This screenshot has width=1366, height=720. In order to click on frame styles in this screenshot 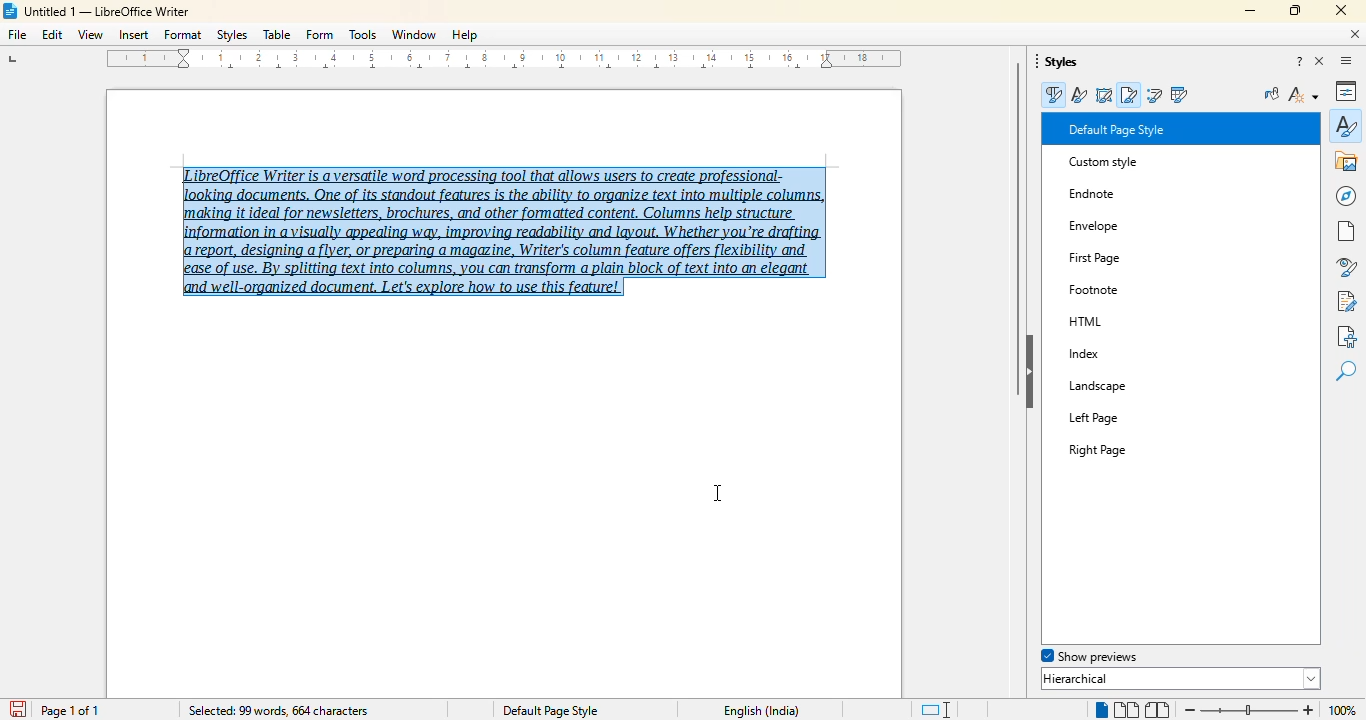, I will do `click(1104, 95)`.